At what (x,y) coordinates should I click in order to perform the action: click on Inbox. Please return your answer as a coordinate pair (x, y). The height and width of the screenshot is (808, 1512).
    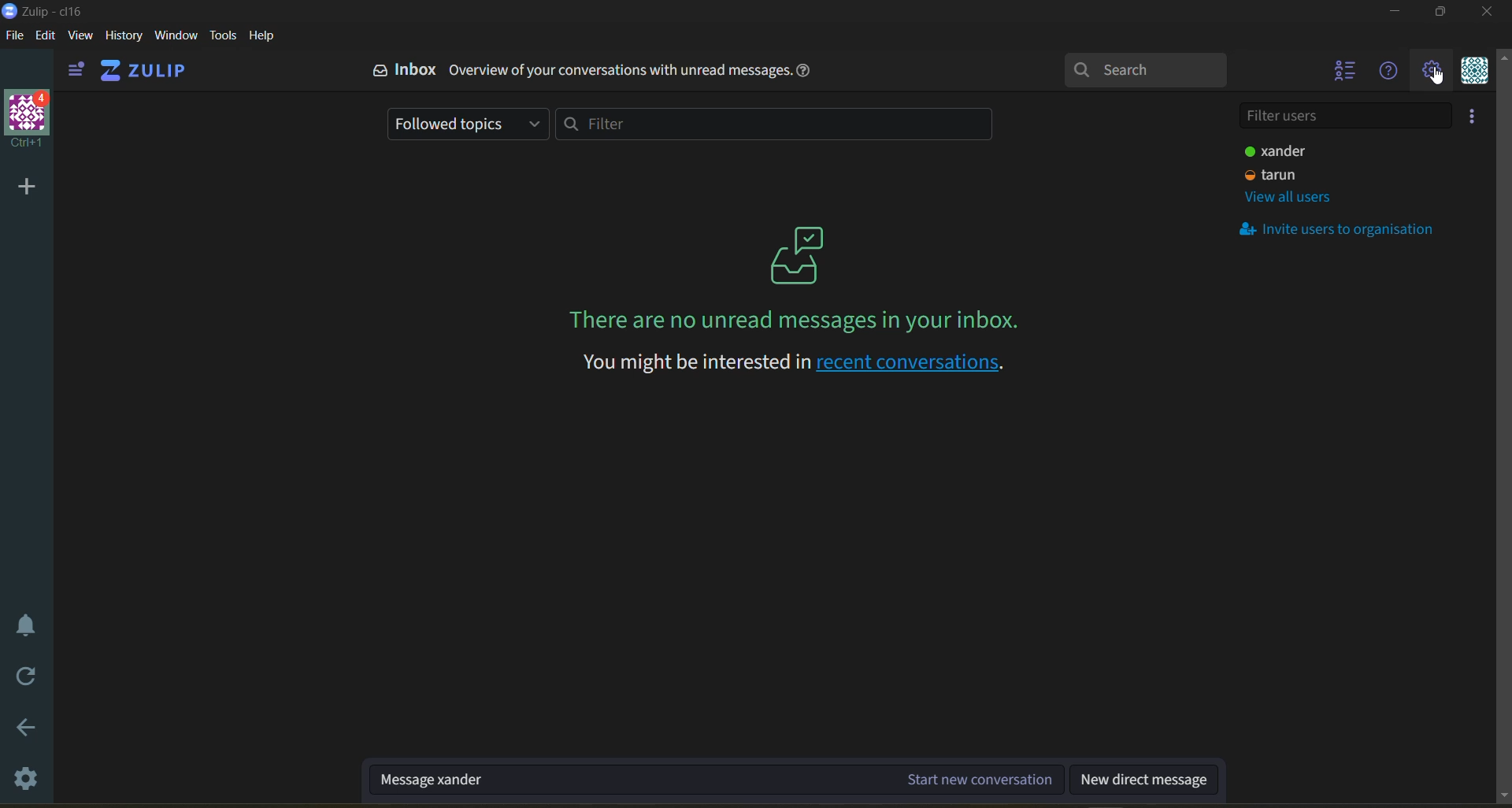
    Looking at the image, I should click on (418, 69).